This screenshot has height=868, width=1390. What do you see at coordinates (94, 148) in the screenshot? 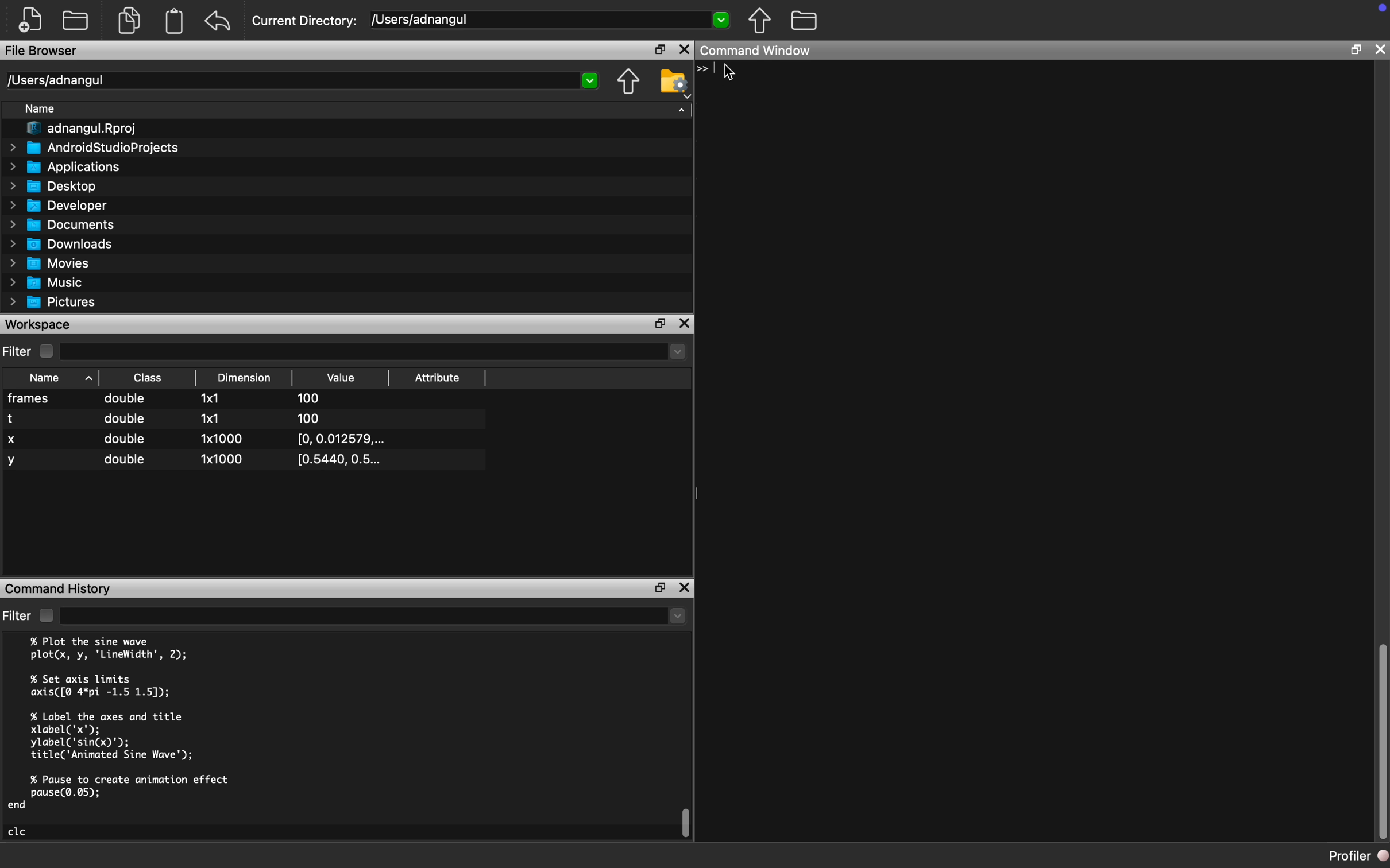
I see `AndroidStudioProjects` at bounding box center [94, 148].